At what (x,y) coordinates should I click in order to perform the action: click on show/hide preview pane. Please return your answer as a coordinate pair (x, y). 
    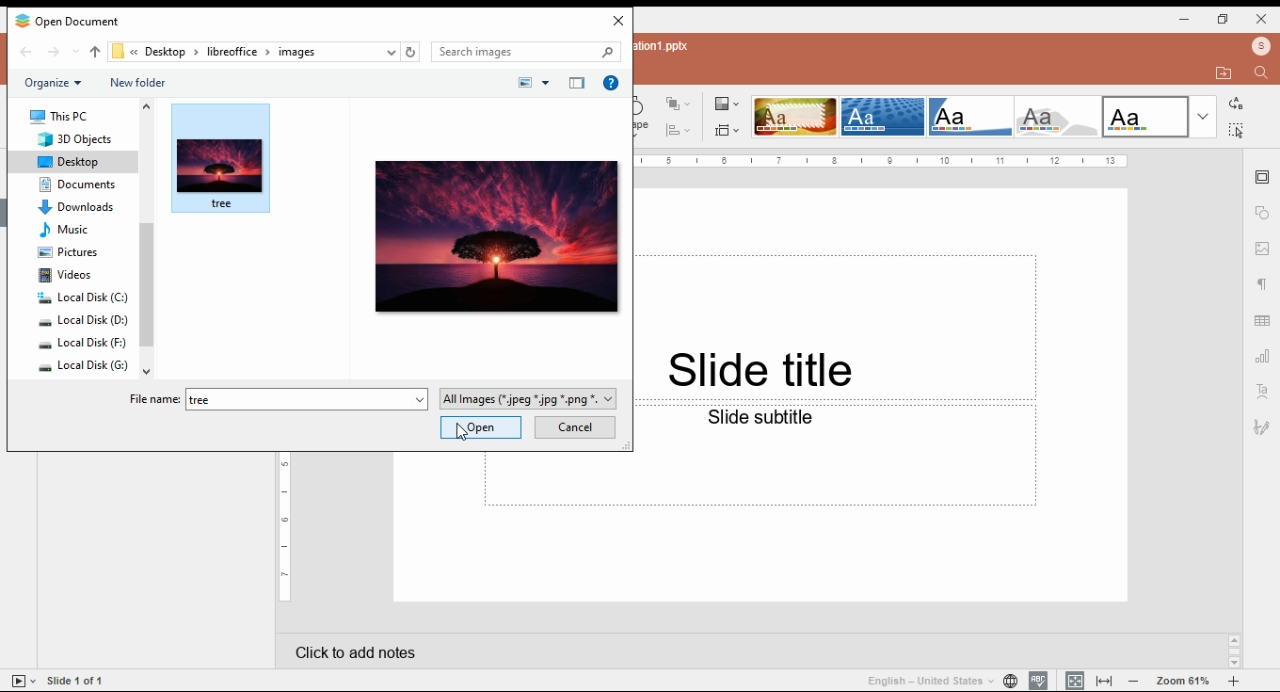
    Looking at the image, I should click on (577, 83).